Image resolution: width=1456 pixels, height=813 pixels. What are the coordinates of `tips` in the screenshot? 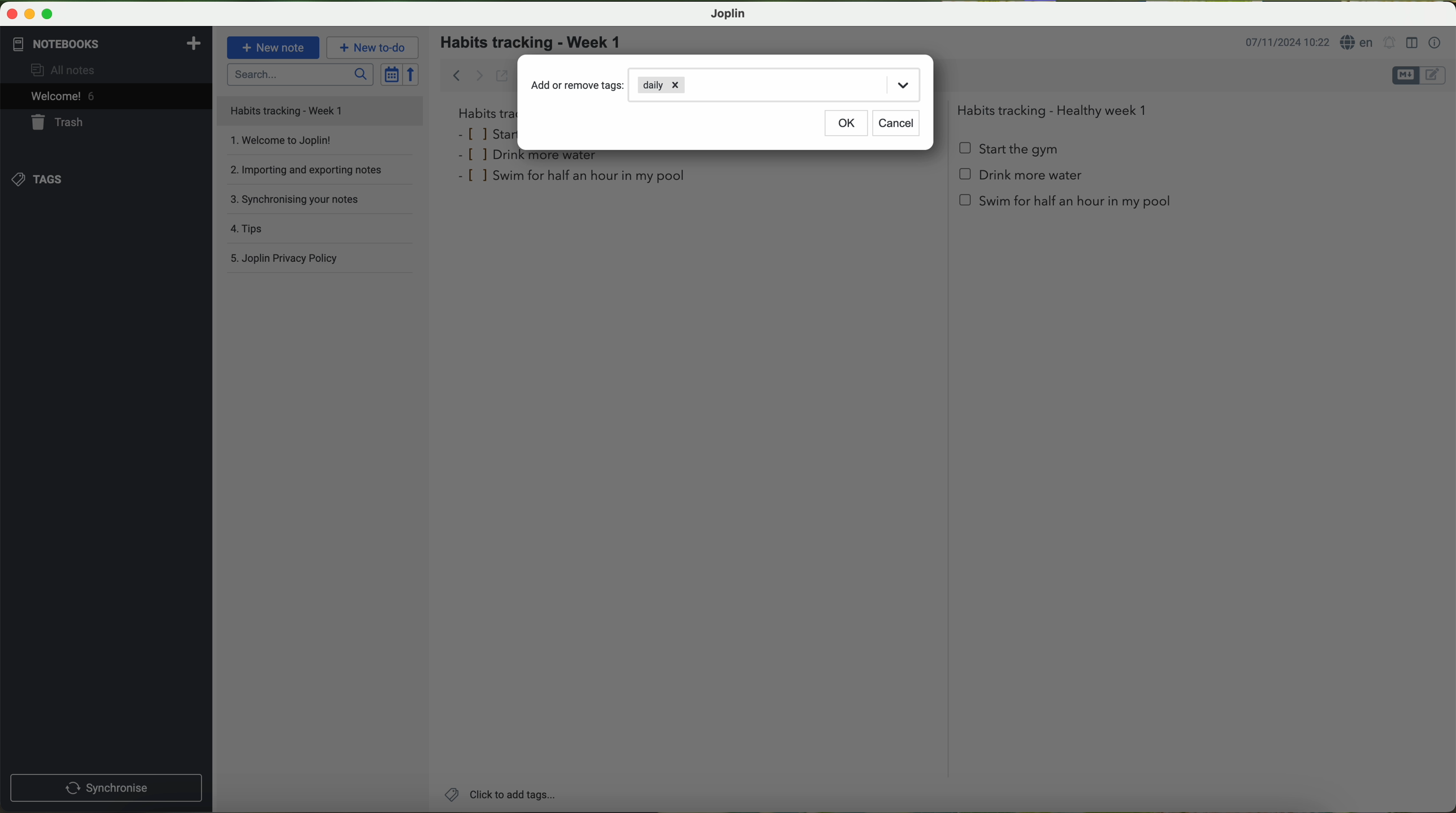 It's located at (322, 231).